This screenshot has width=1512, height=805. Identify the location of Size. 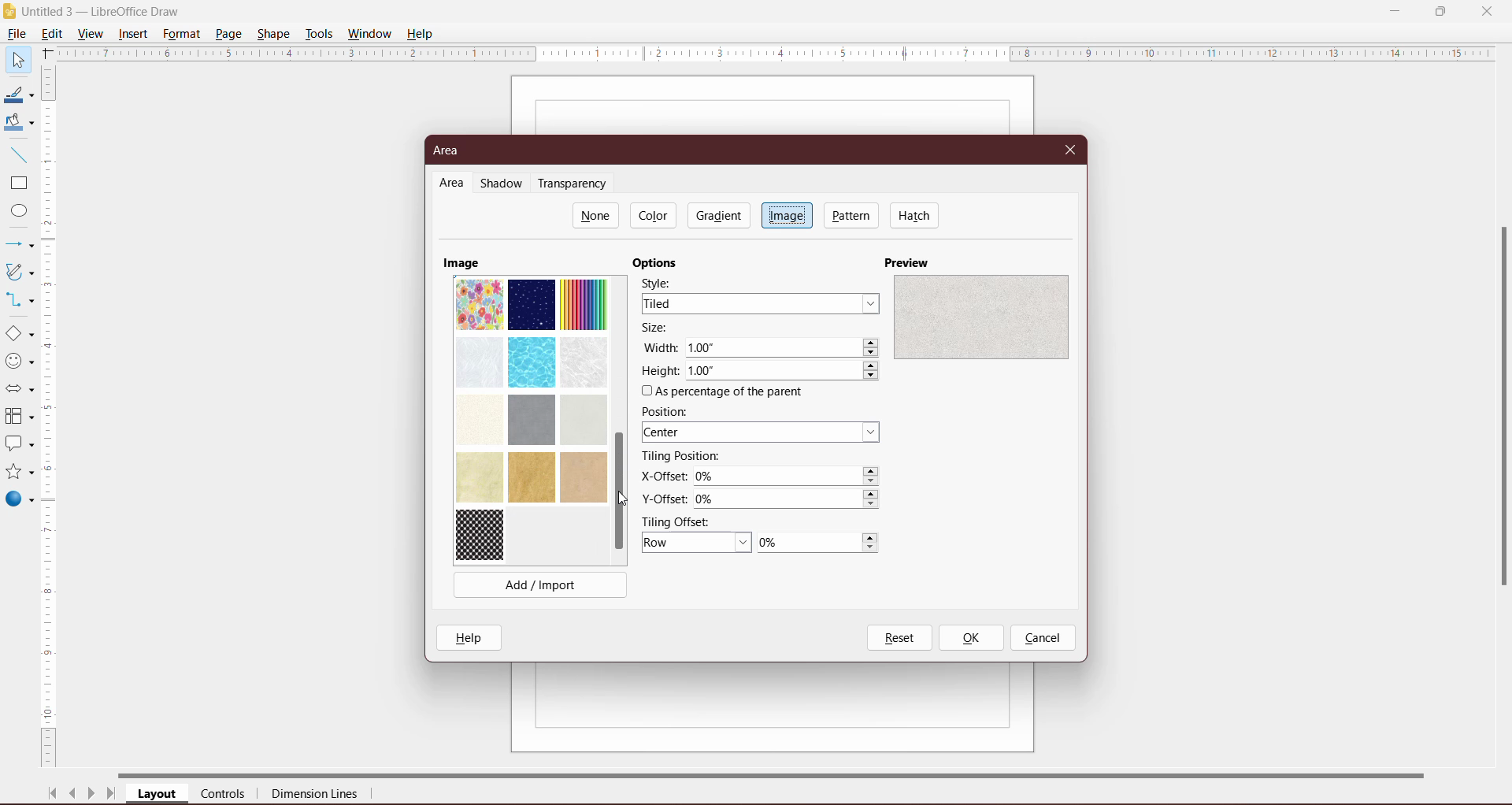
(660, 328).